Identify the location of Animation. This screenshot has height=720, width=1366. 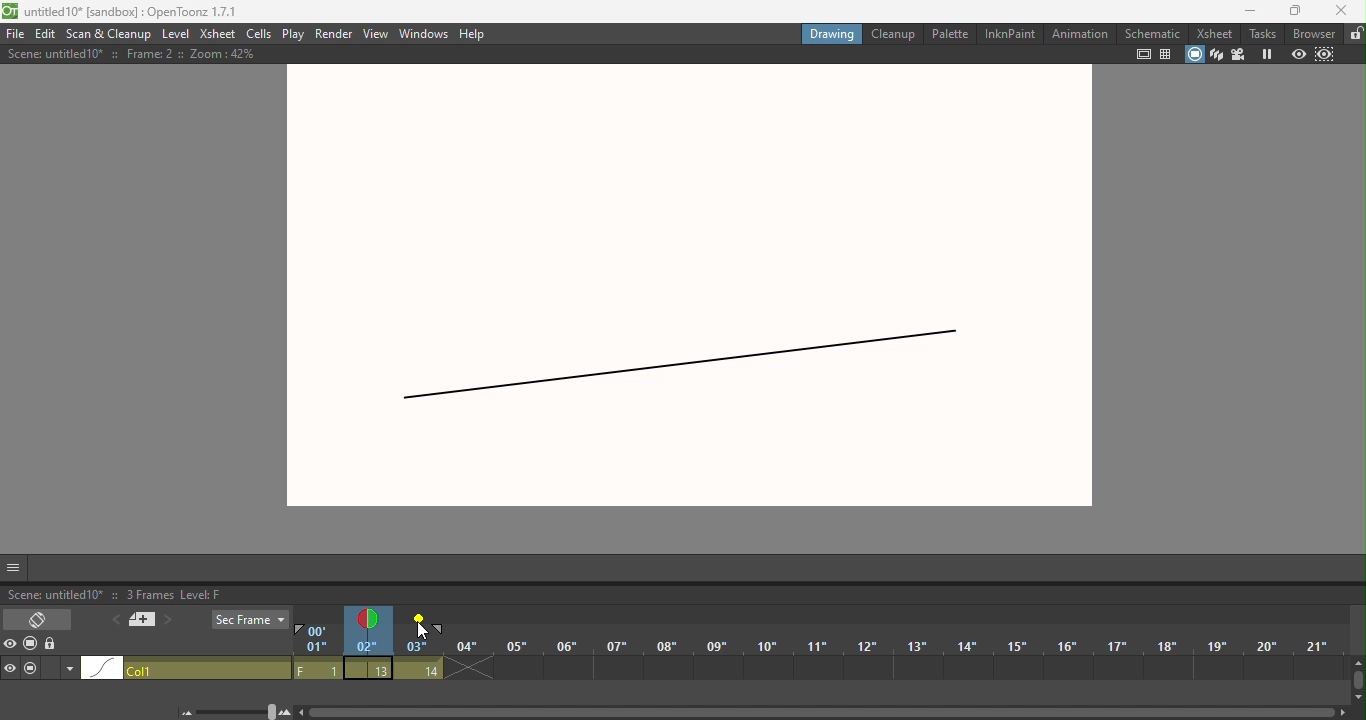
(1077, 34).